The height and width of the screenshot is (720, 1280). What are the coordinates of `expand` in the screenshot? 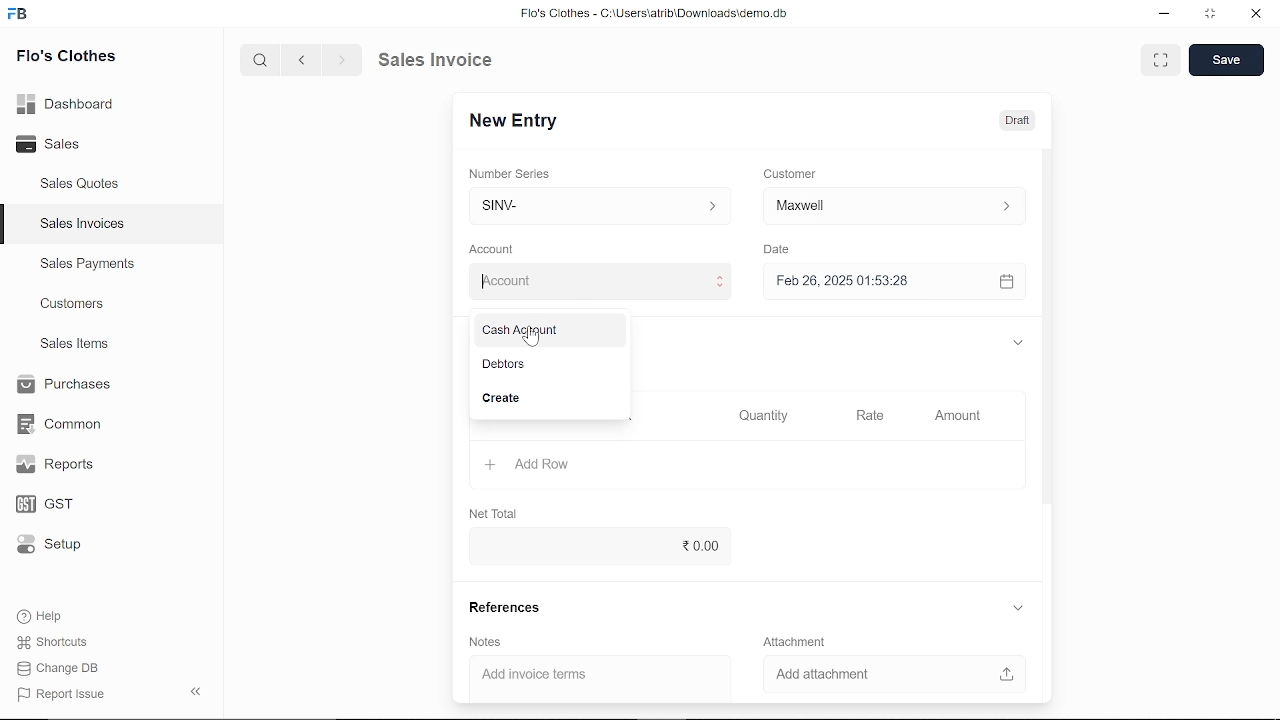 It's located at (1019, 609).